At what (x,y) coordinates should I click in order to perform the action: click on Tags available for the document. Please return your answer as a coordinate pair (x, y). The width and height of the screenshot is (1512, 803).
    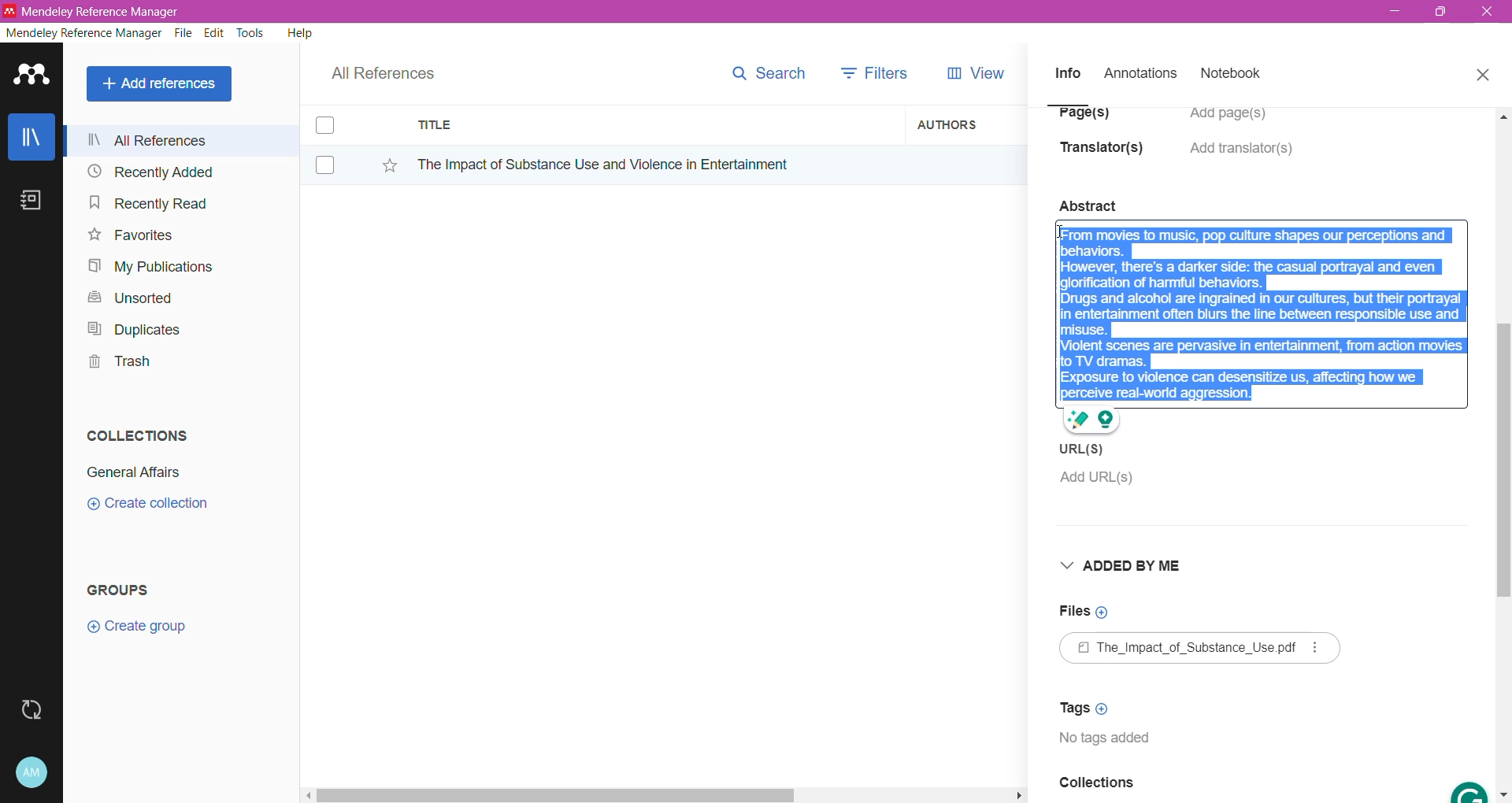
    Looking at the image, I should click on (1111, 742).